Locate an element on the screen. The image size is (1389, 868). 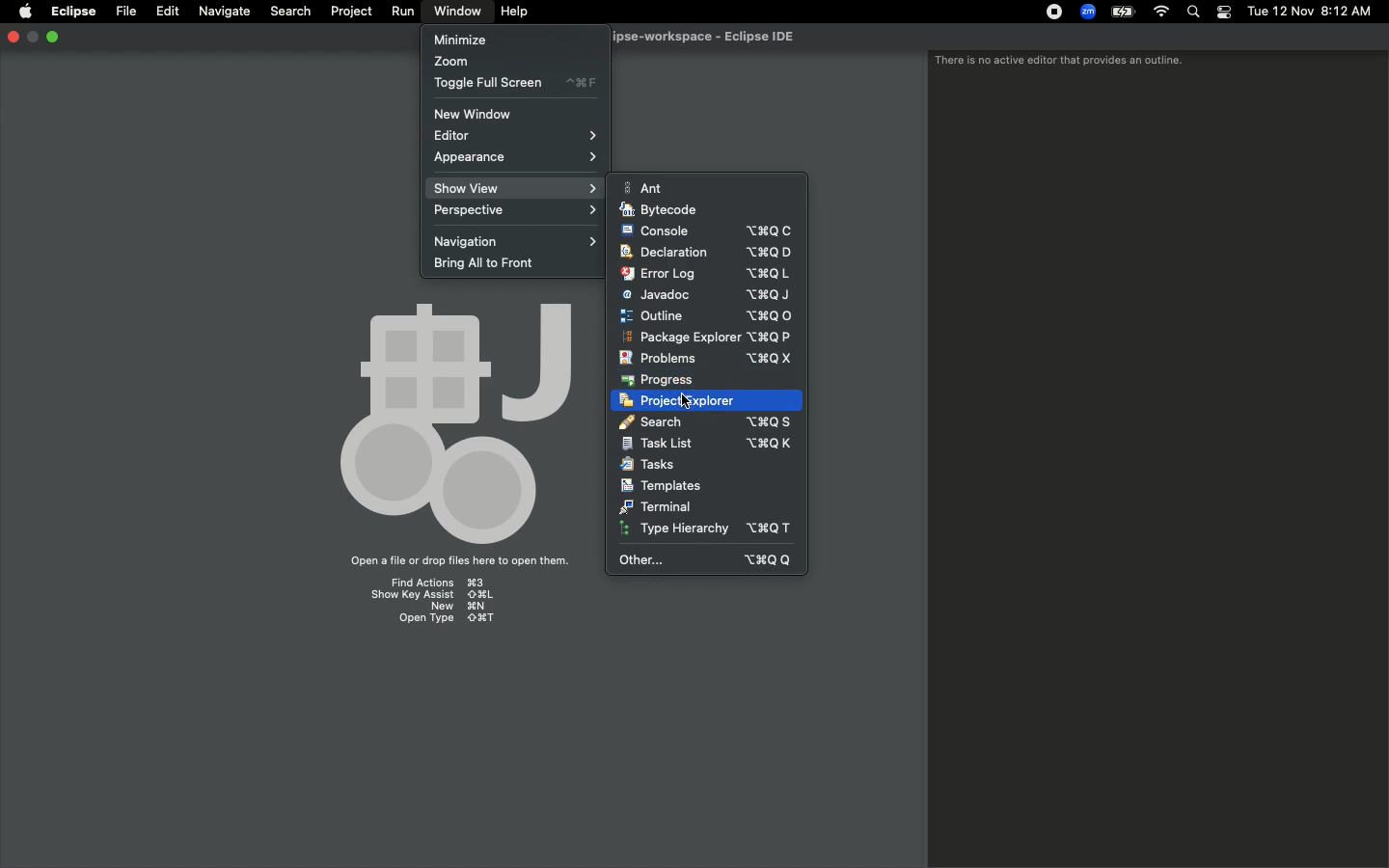
Toggle full screen is located at coordinates (512, 84).